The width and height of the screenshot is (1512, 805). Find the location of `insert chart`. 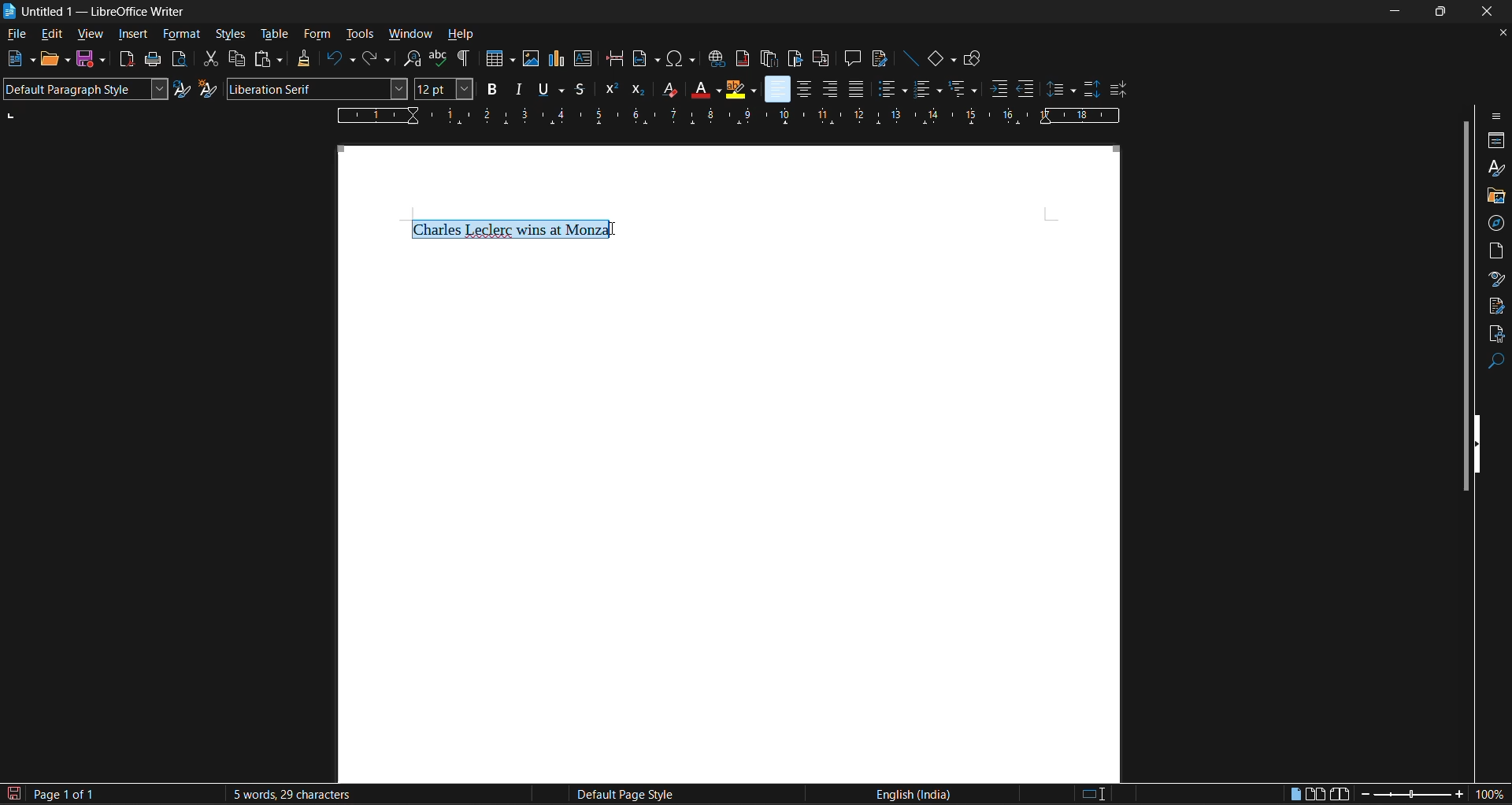

insert chart is located at coordinates (557, 58).